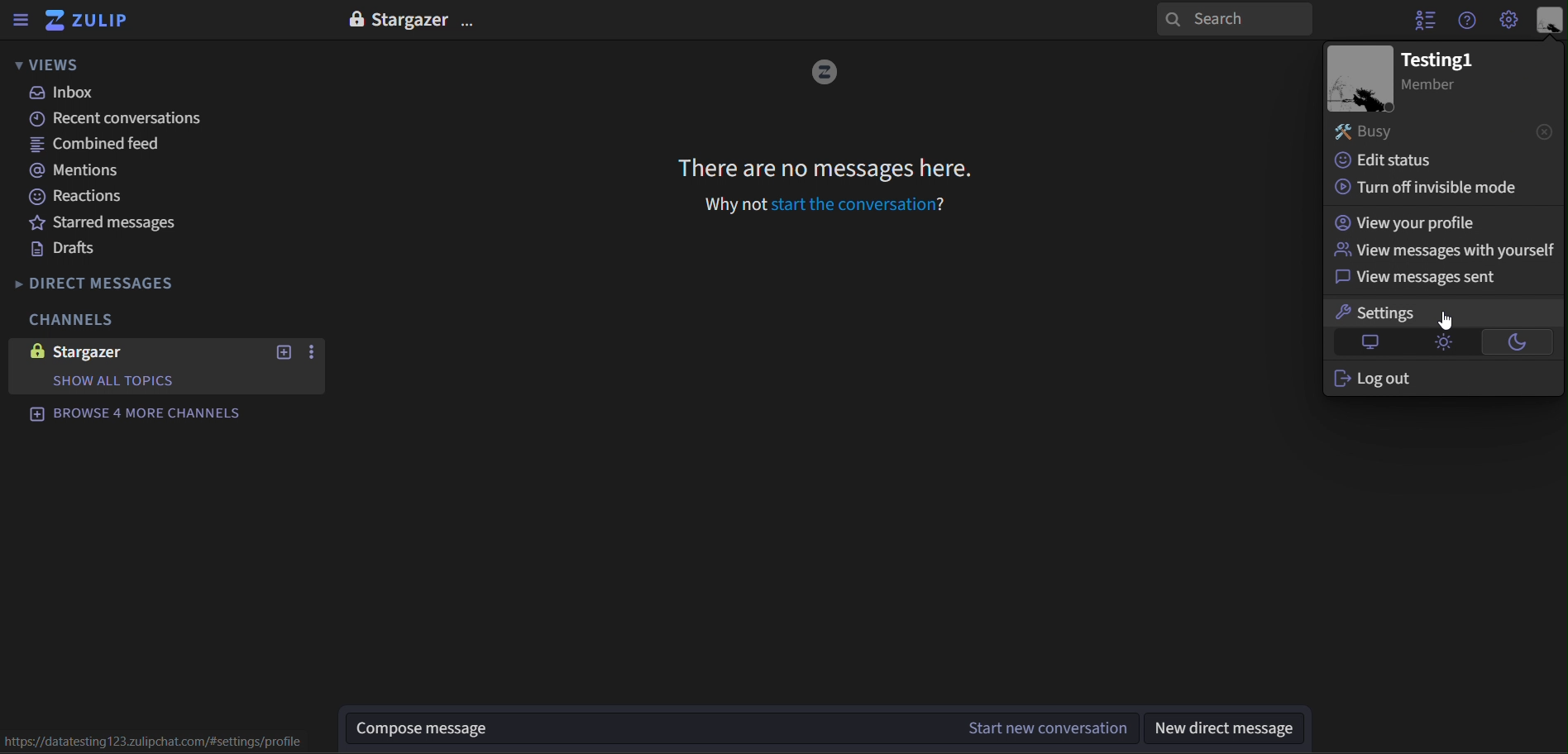 The image size is (1568, 754). I want to click on direct messages, so click(110, 282).